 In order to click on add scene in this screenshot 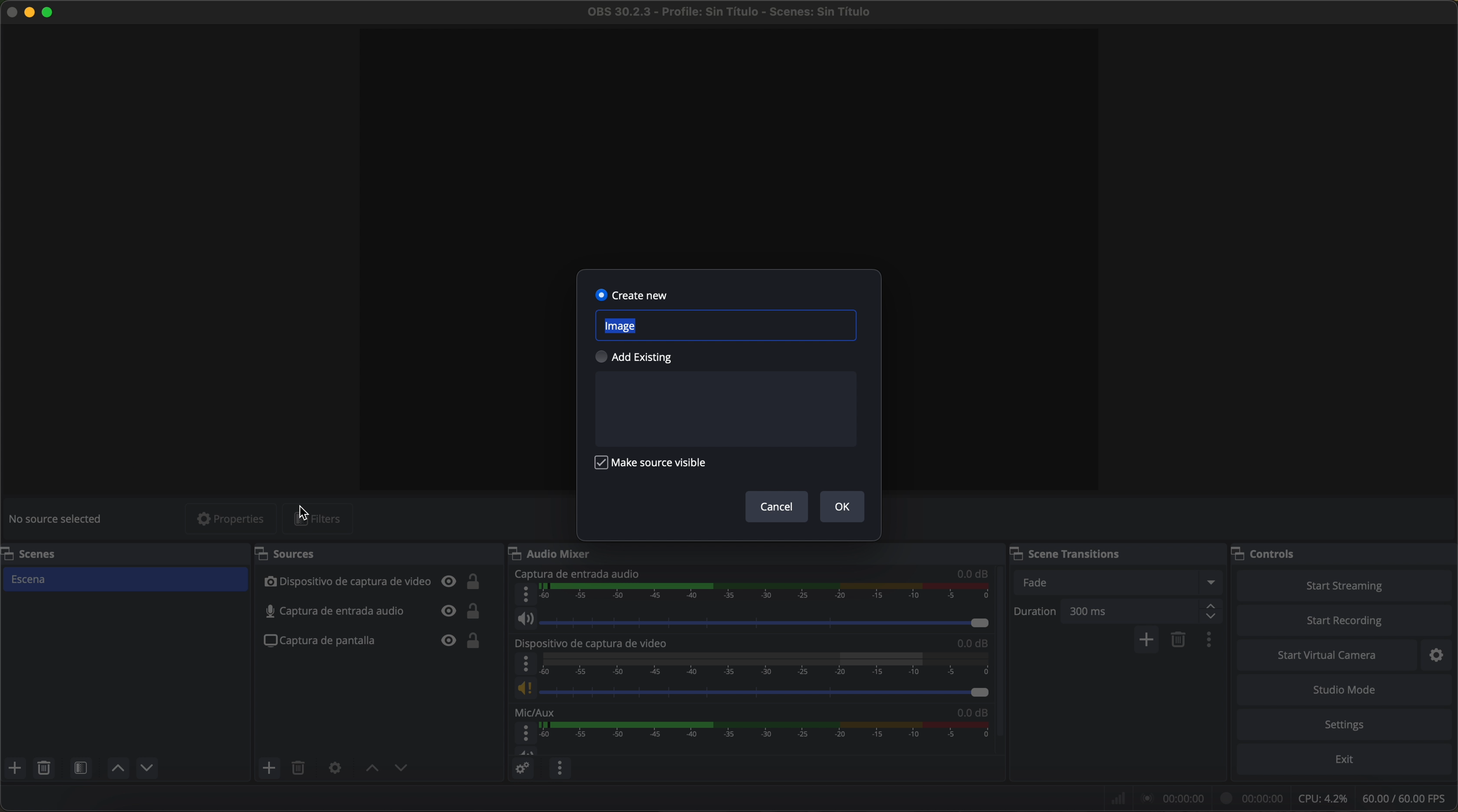, I will do `click(15, 768)`.